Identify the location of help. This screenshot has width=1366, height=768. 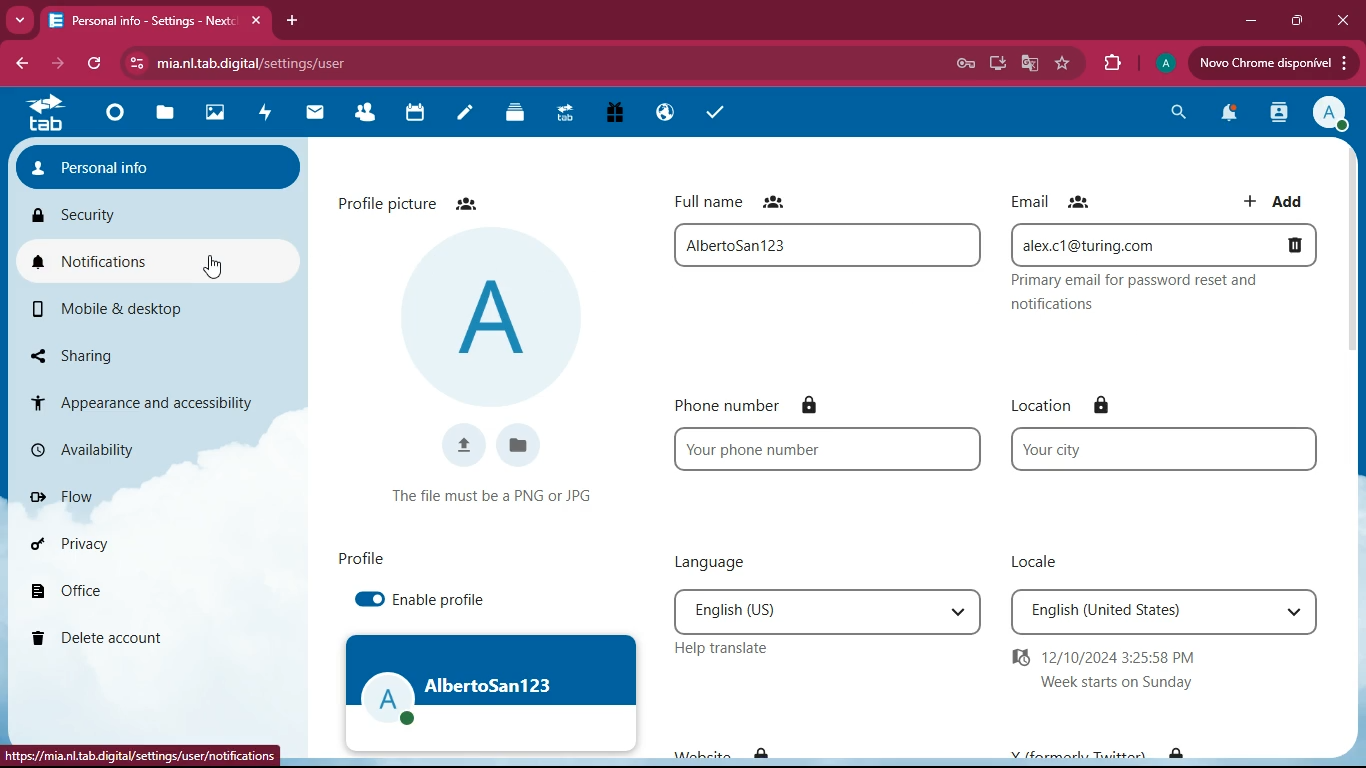
(731, 648).